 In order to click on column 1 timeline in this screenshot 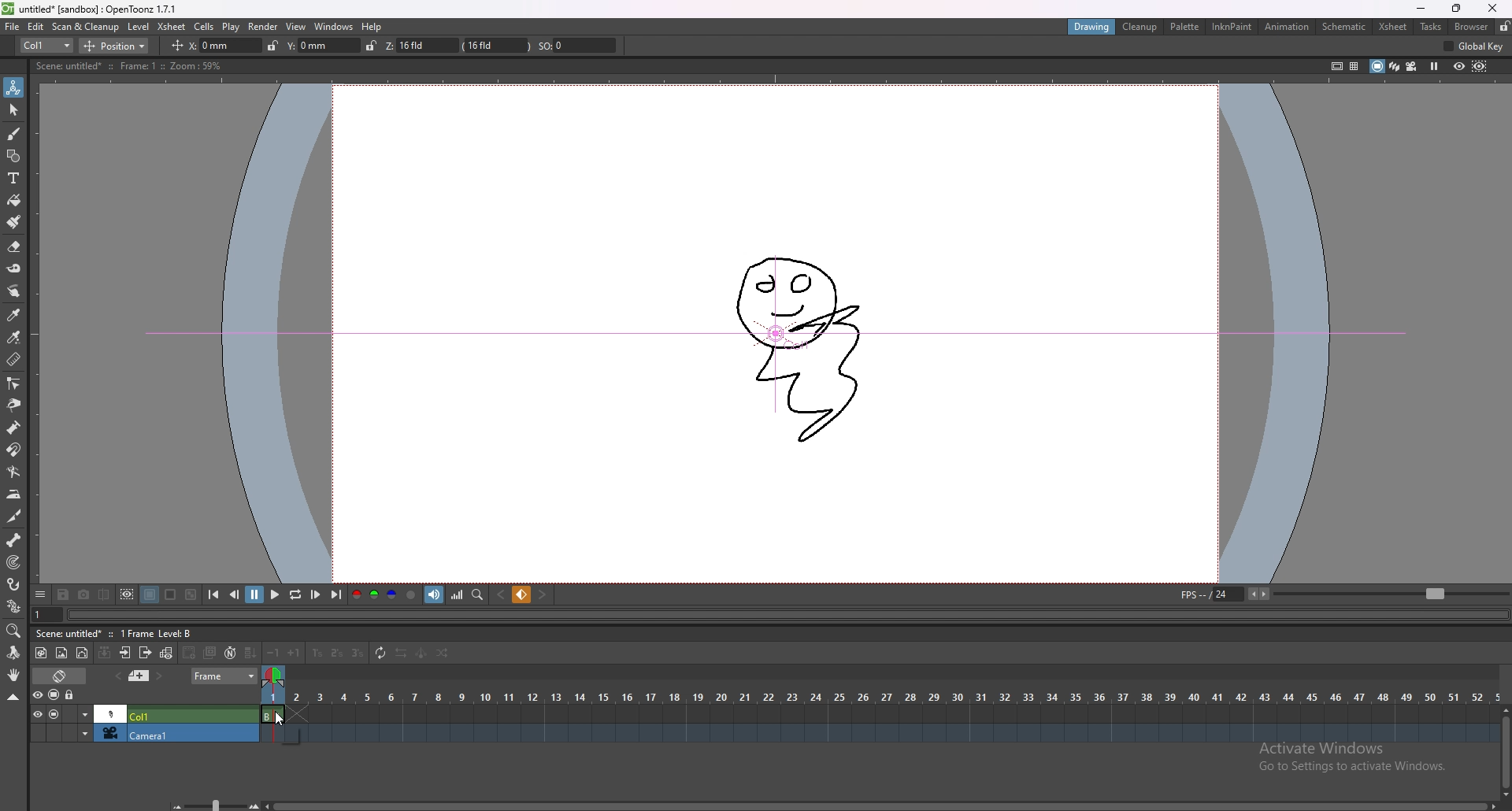, I will do `click(877, 716)`.